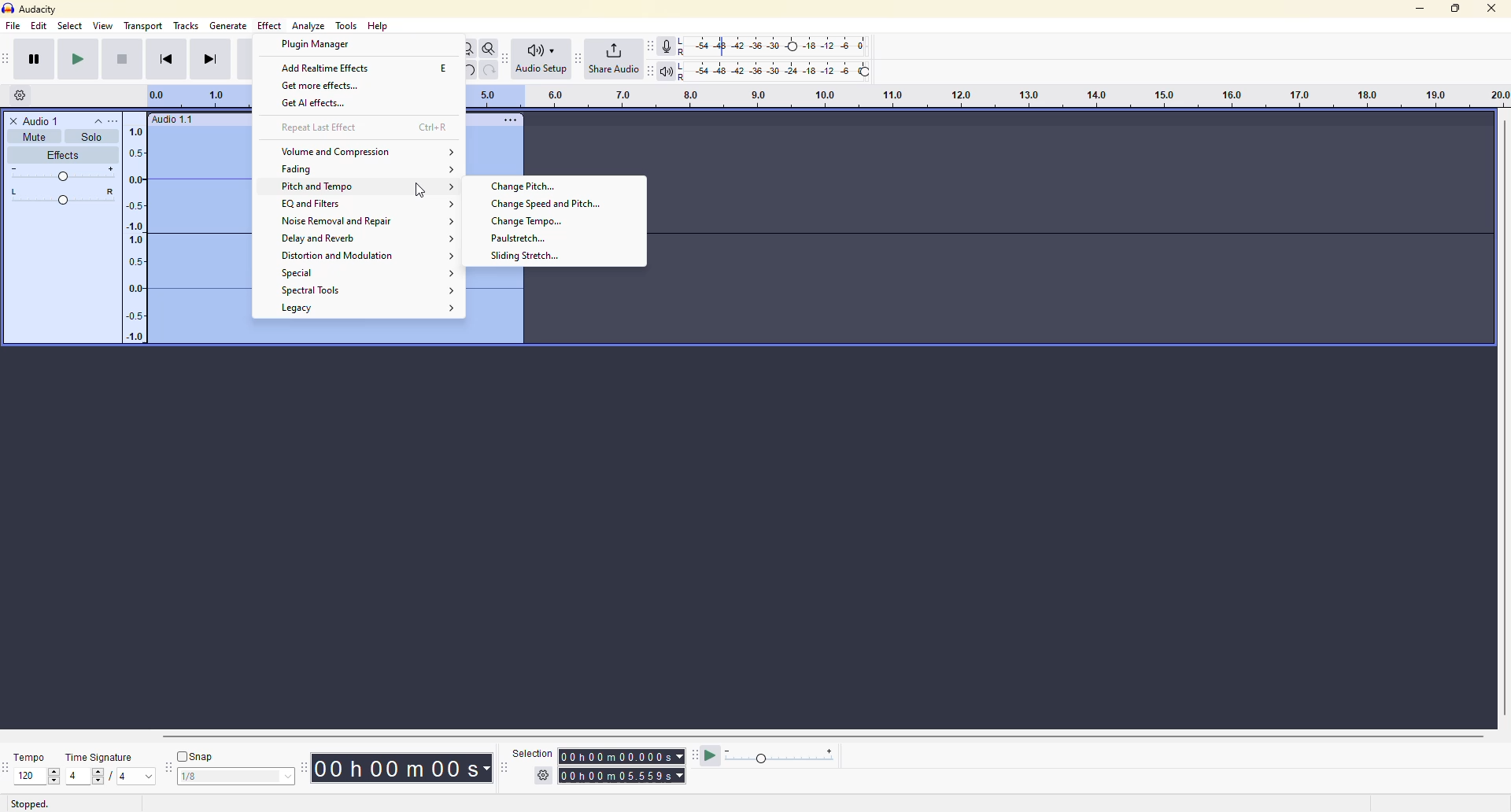  Describe the element at coordinates (120, 59) in the screenshot. I see `stop` at that location.